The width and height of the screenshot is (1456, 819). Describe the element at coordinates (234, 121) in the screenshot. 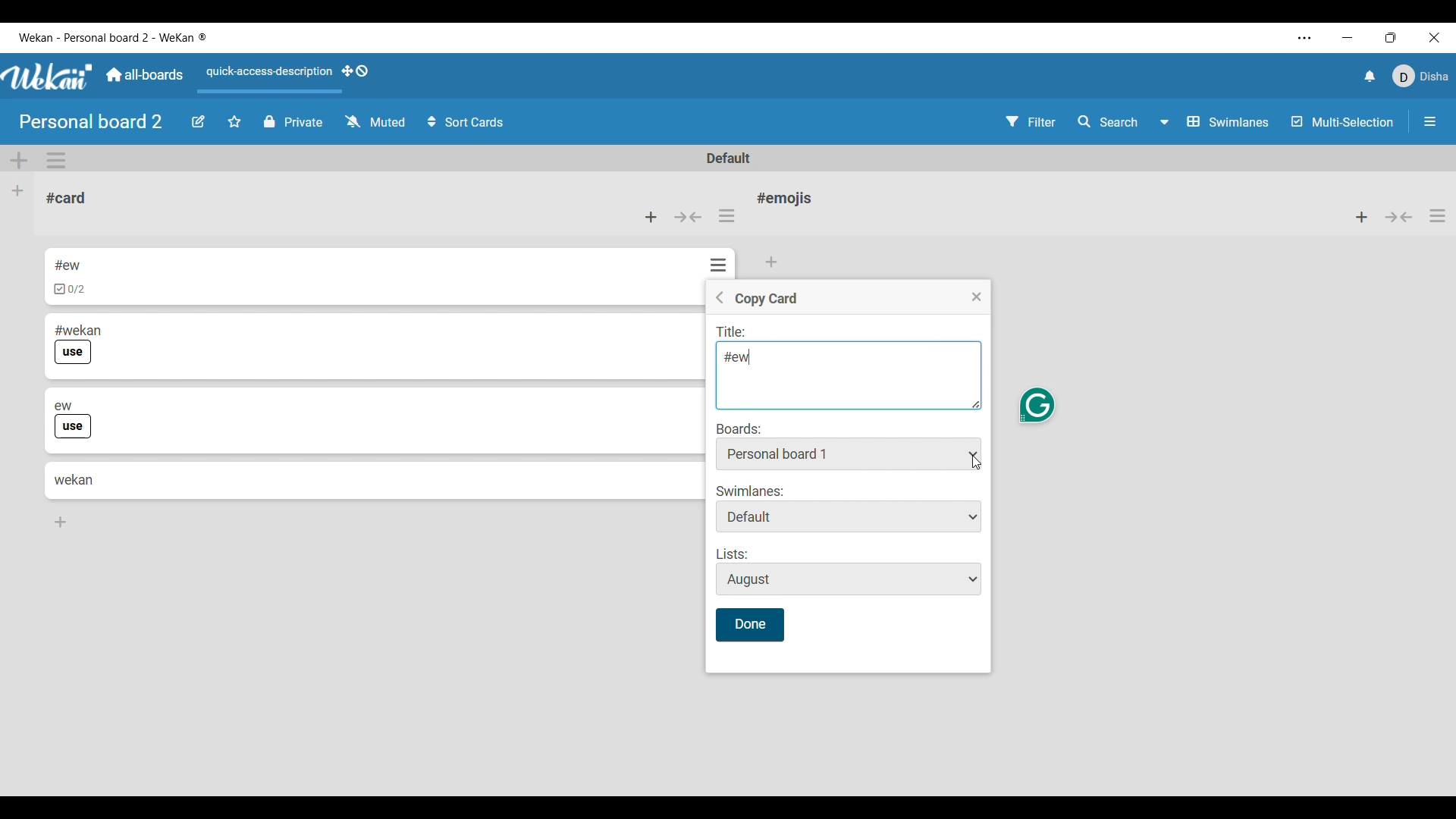

I see `Star board` at that location.